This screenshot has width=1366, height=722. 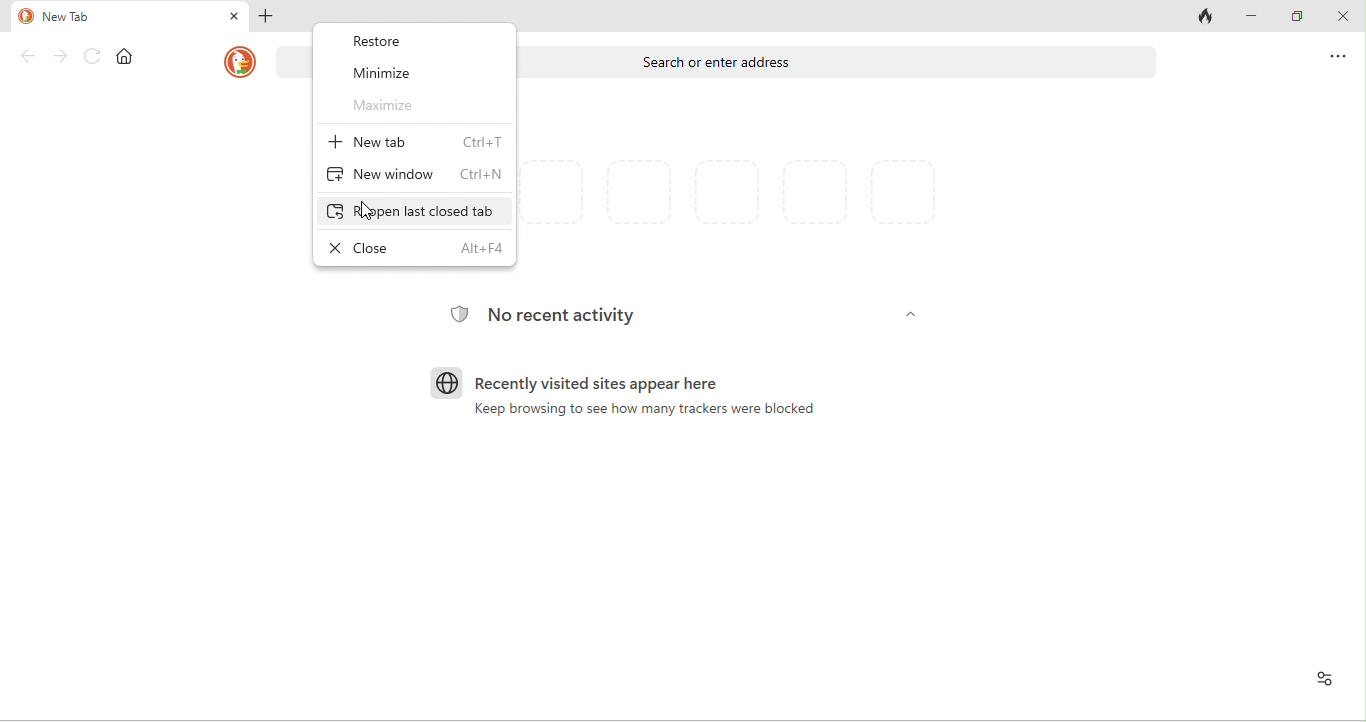 I want to click on close, so click(x=1342, y=17).